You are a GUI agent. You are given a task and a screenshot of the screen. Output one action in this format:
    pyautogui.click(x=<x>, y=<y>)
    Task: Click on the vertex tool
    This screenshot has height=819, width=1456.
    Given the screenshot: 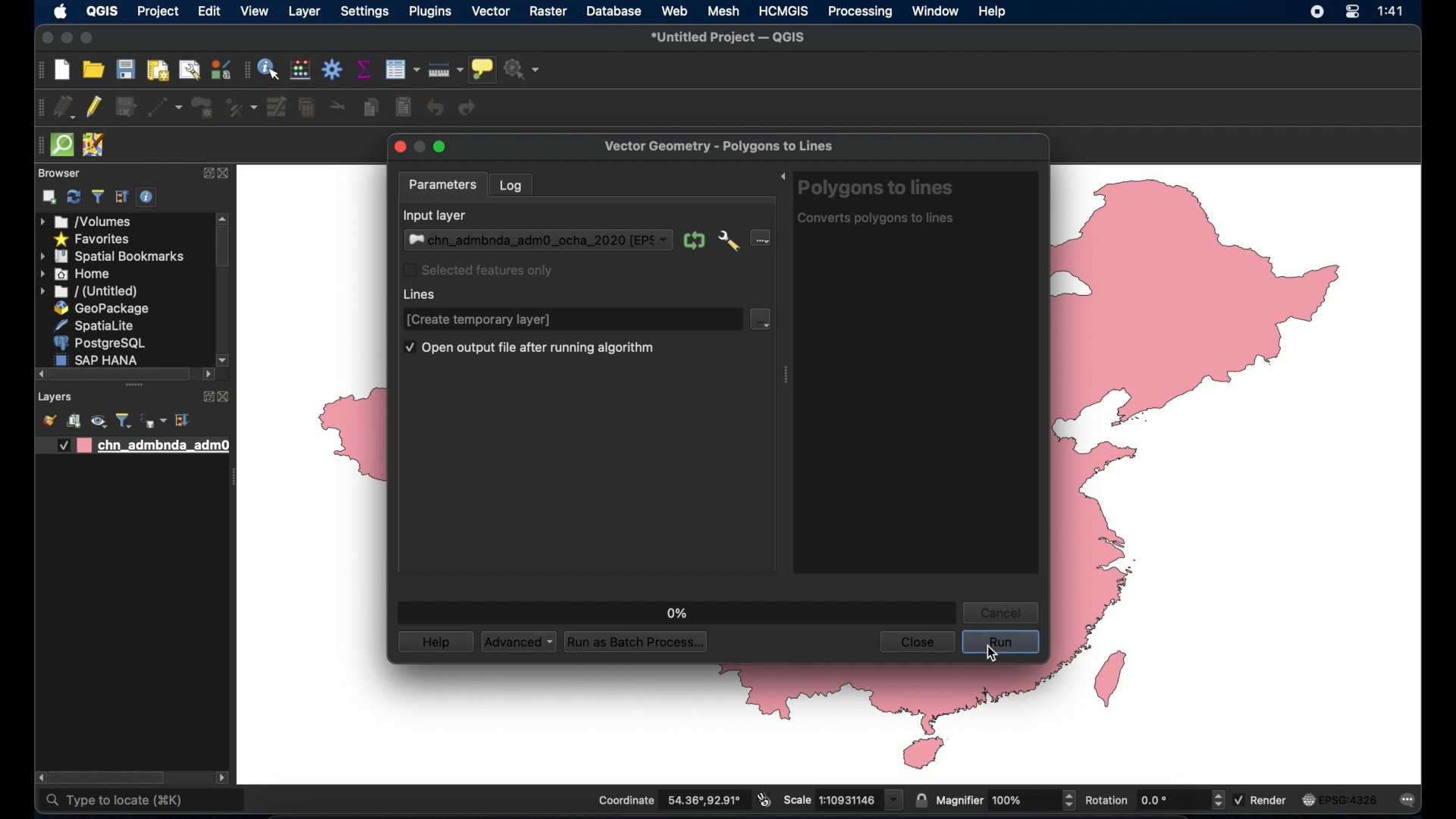 What is the action you would take?
    pyautogui.click(x=241, y=108)
    